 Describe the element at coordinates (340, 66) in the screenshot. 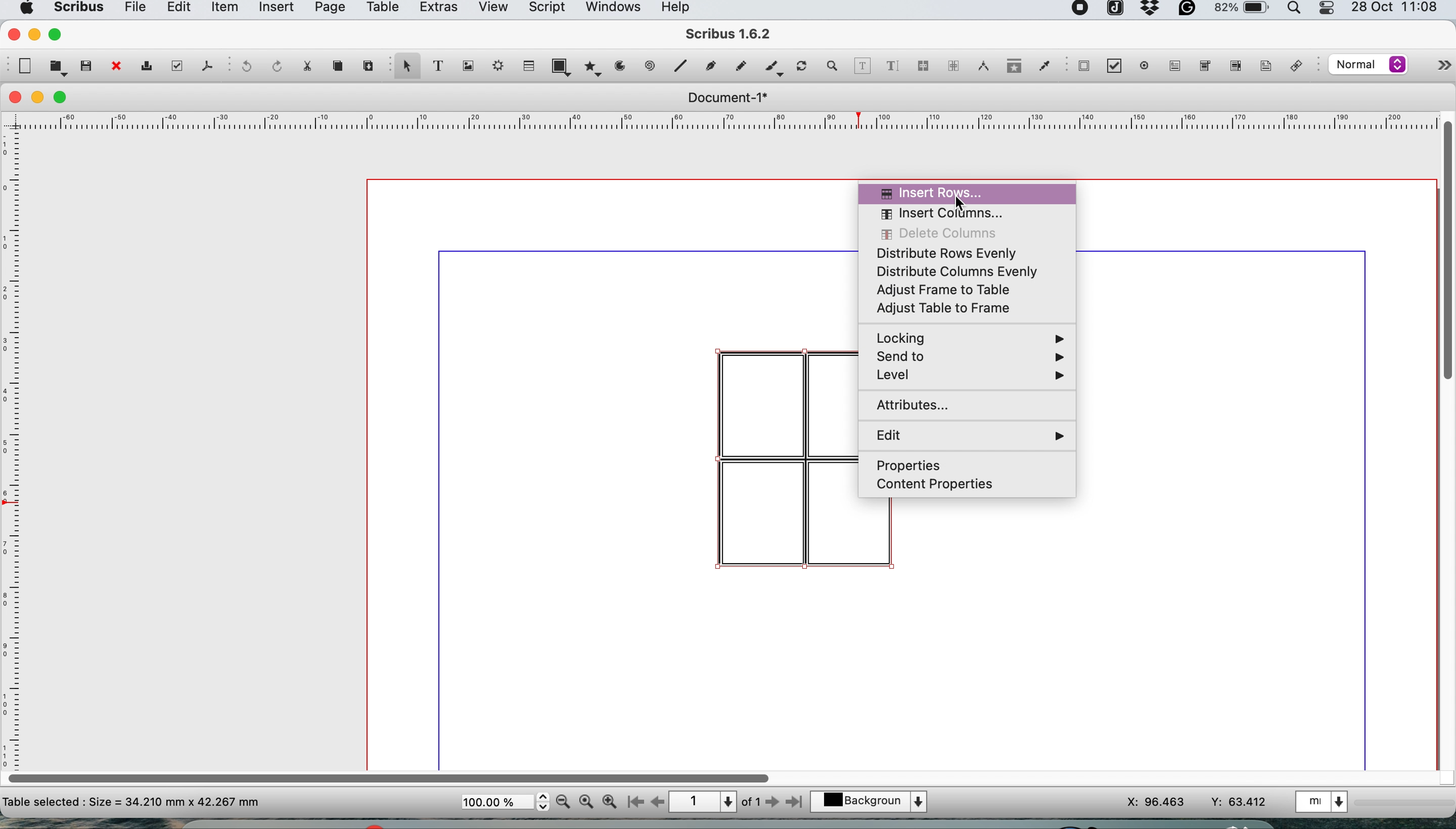

I see `copy` at that location.